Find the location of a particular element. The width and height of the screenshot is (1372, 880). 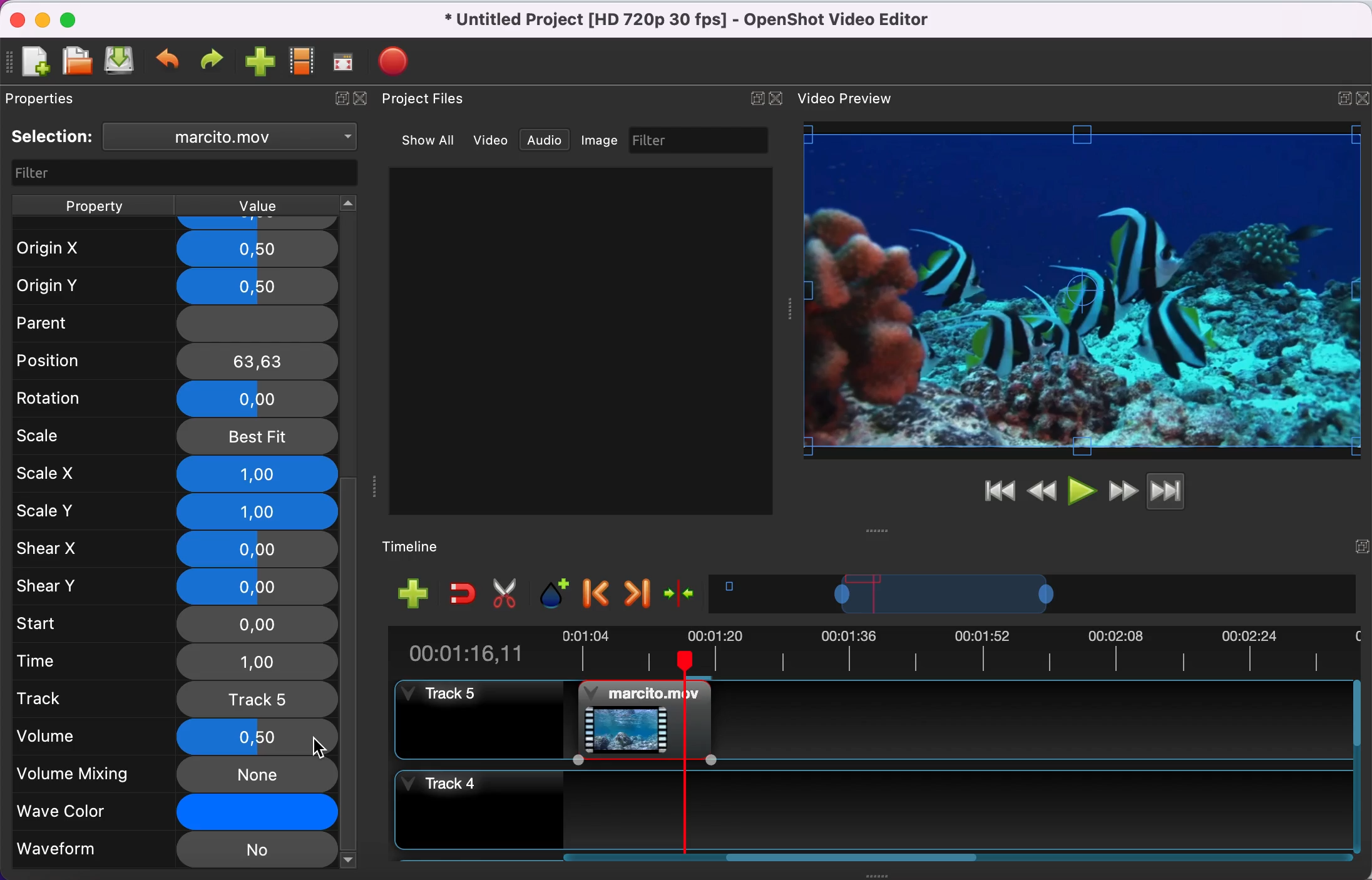

close is located at coordinates (14, 18).